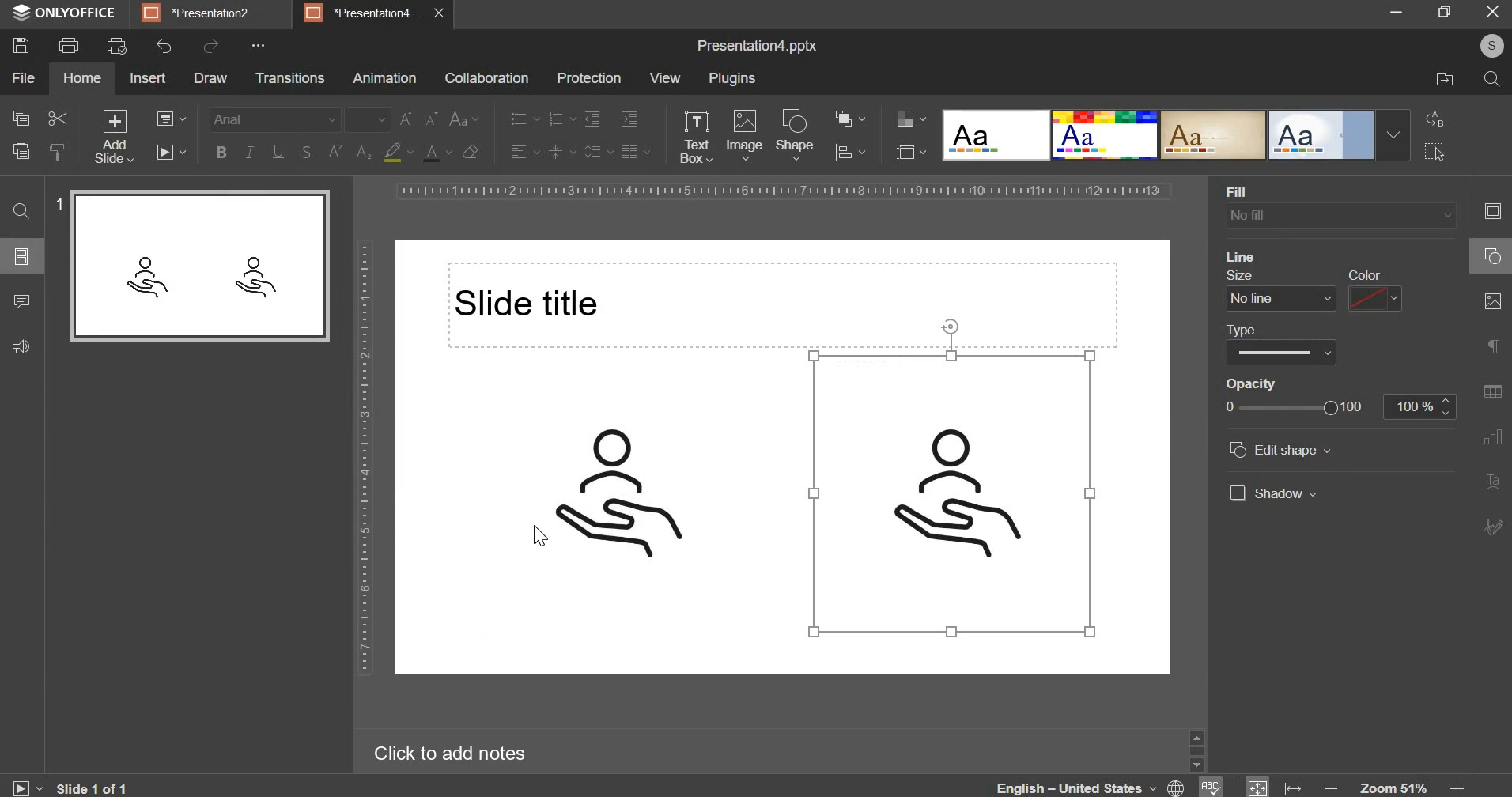  What do you see at coordinates (1393, 788) in the screenshot?
I see `zoom 51%` at bounding box center [1393, 788].